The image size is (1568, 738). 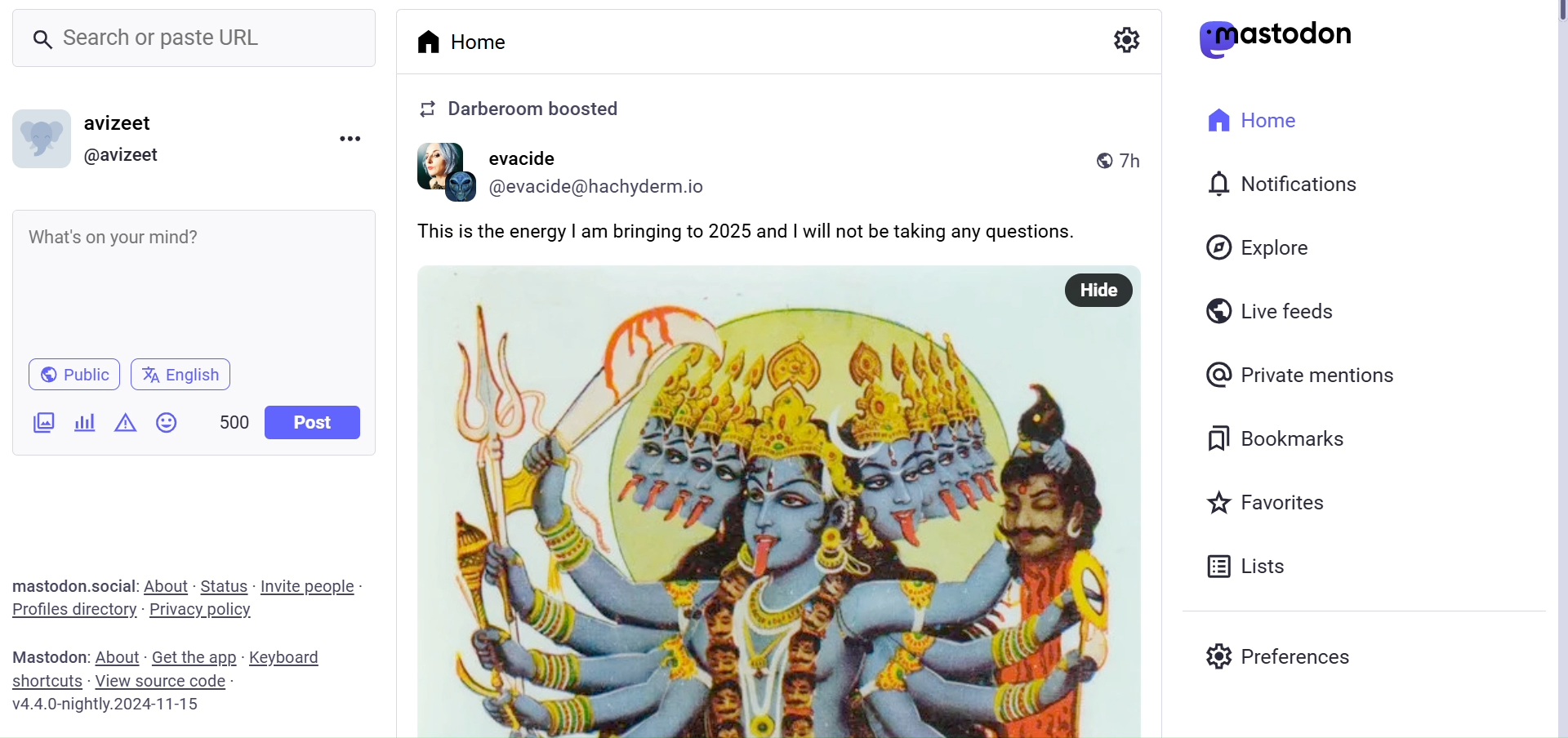 What do you see at coordinates (192, 277) in the screenshot?
I see `Whats on your mind` at bounding box center [192, 277].